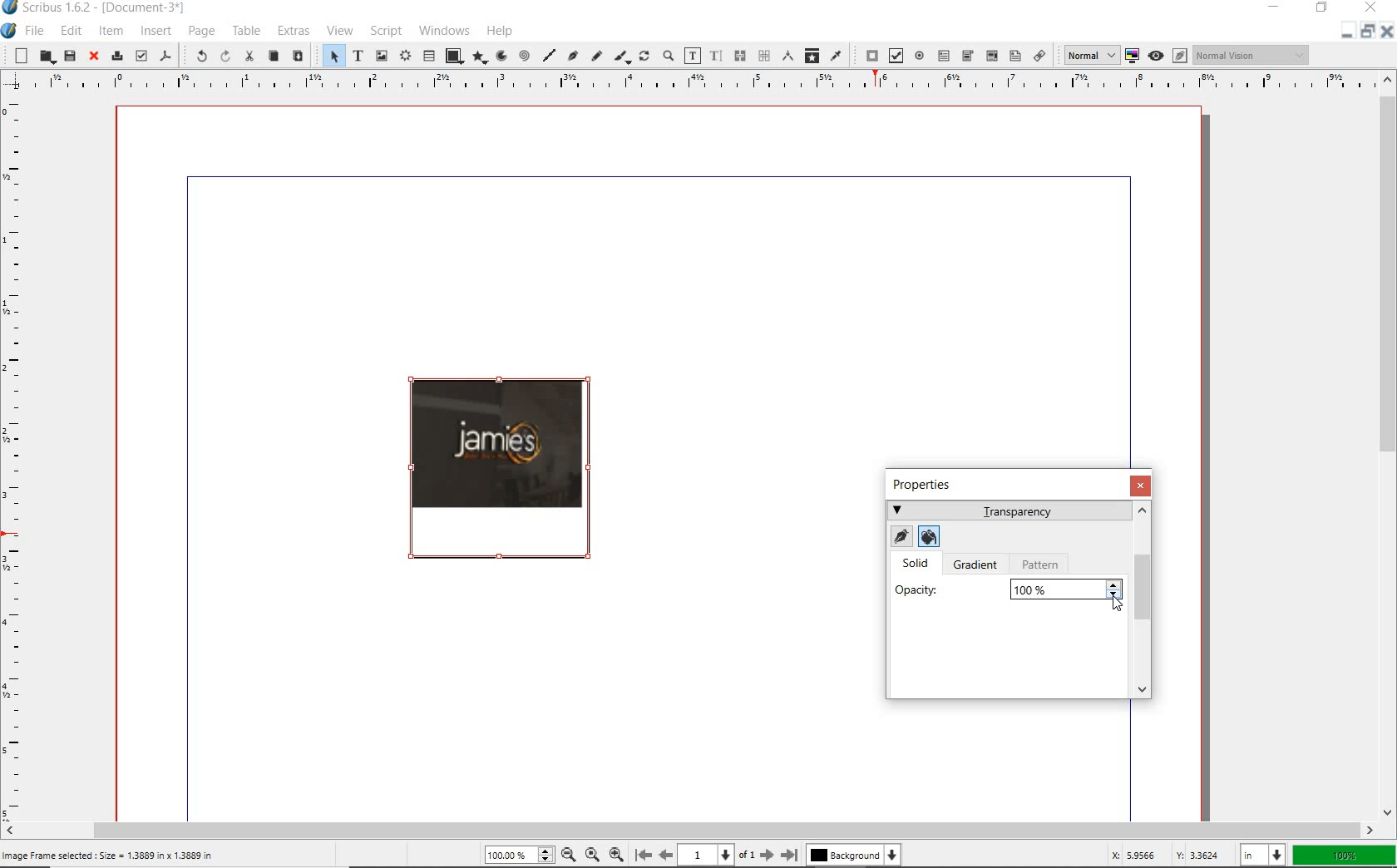 This screenshot has width=1397, height=868. What do you see at coordinates (921, 56) in the screenshot?
I see `pdf radio button` at bounding box center [921, 56].